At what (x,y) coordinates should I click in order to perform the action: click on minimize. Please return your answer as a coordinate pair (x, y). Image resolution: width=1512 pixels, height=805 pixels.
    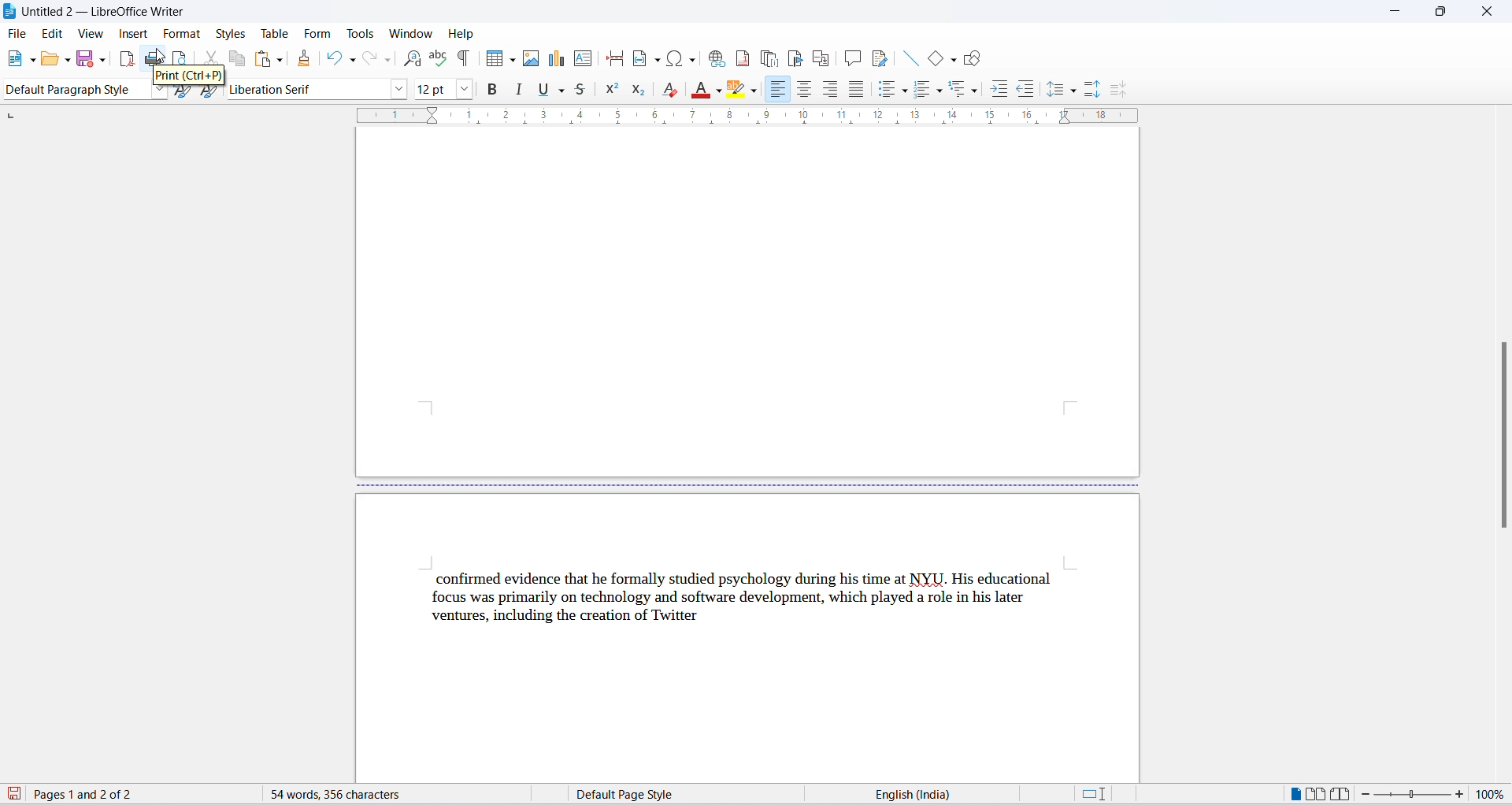
    Looking at the image, I should click on (1392, 11).